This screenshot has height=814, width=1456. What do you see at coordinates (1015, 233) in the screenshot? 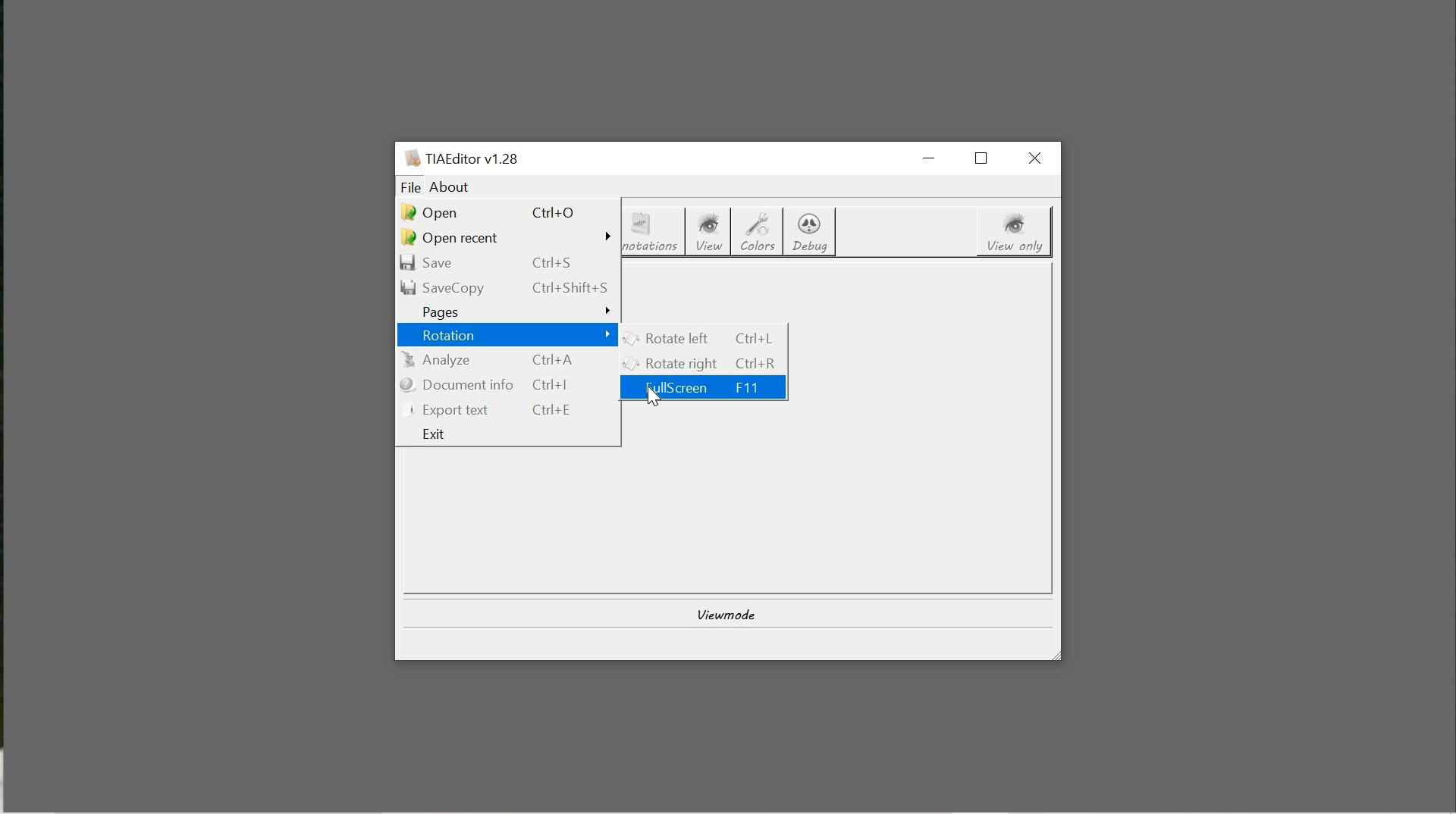
I see `view only` at bounding box center [1015, 233].